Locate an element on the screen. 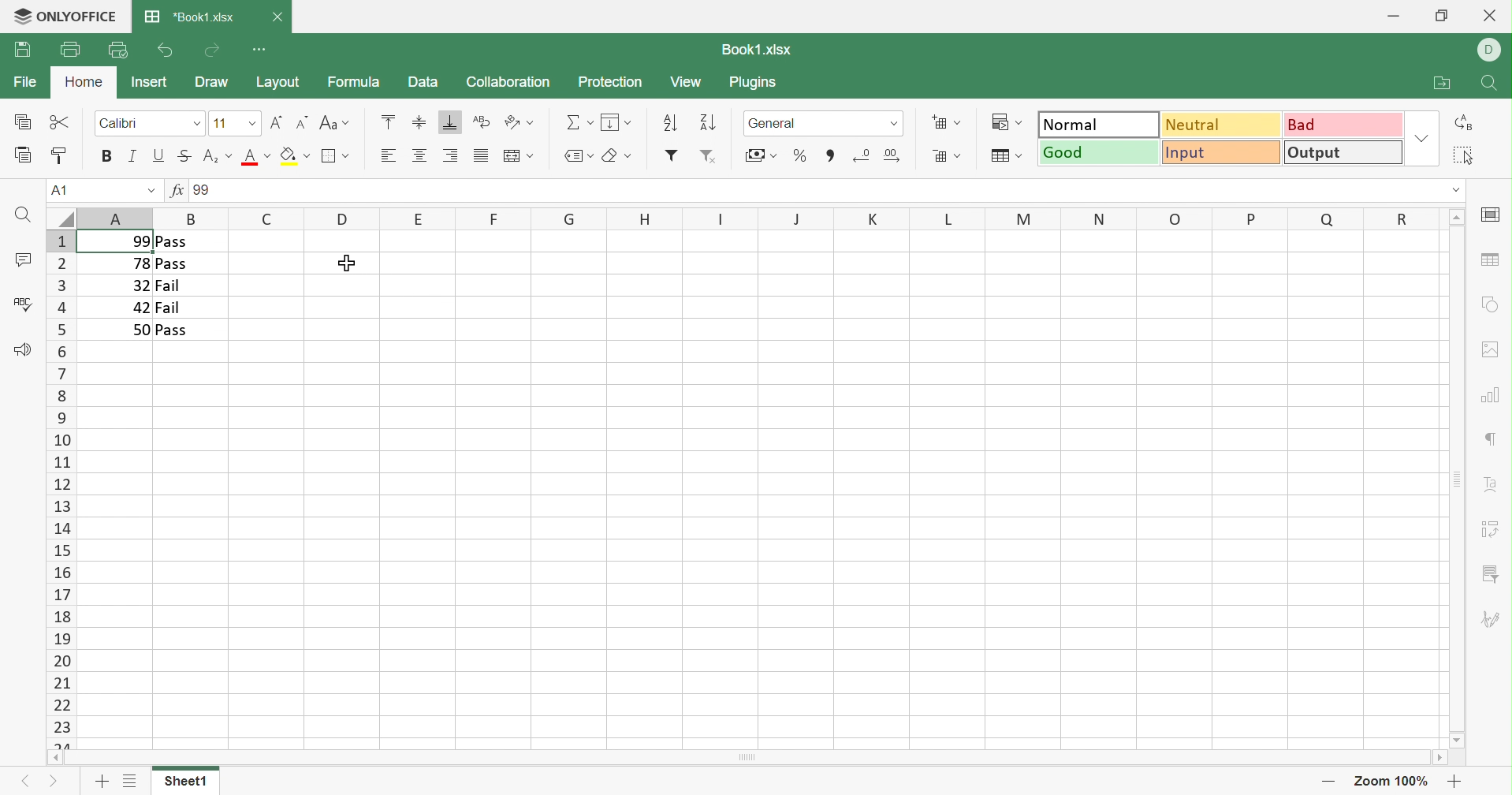 The height and width of the screenshot is (795, 1512). DELL is located at coordinates (1492, 51).